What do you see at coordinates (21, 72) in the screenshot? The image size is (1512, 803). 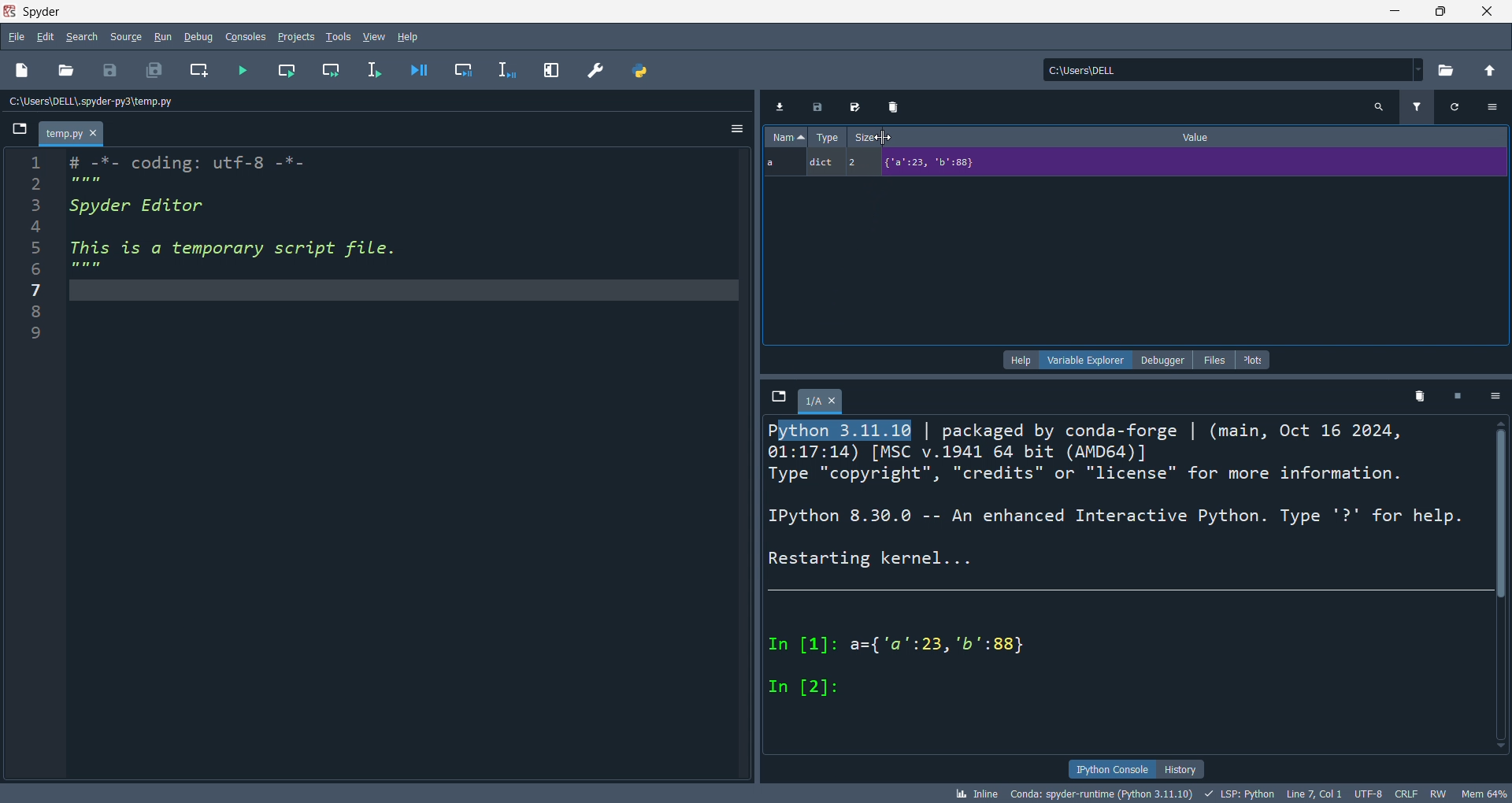 I see `new file` at bounding box center [21, 72].